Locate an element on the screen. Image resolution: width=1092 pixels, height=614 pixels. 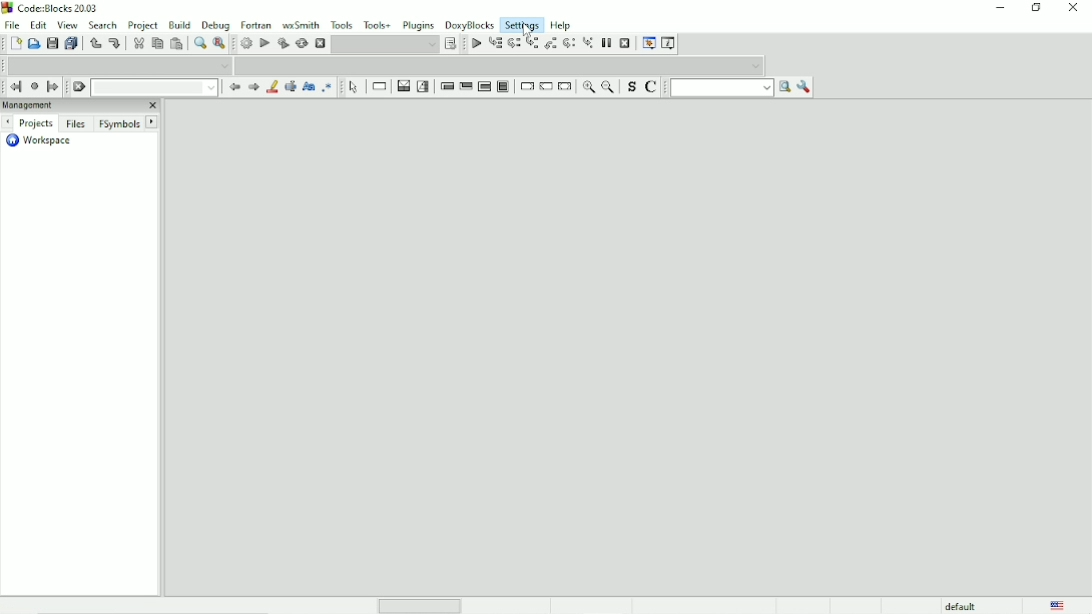
Drop down is located at coordinates (433, 44).